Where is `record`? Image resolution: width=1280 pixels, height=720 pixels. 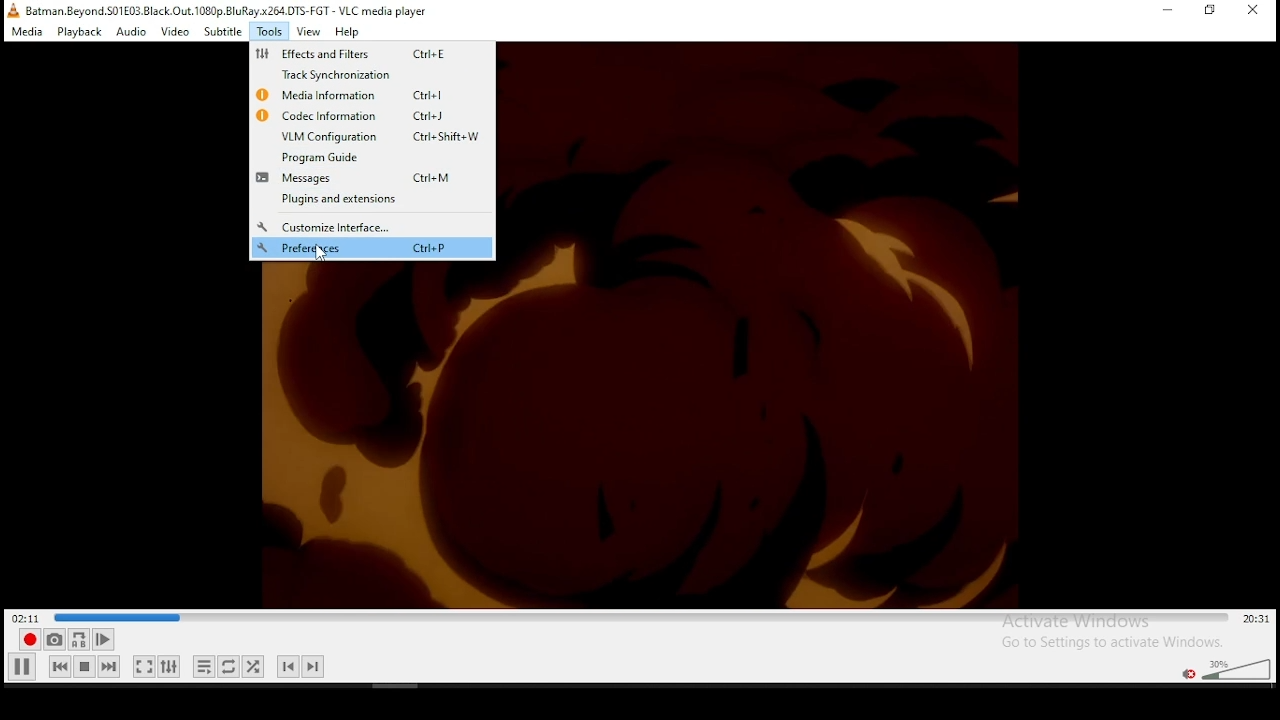 record is located at coordinates (30, 639).